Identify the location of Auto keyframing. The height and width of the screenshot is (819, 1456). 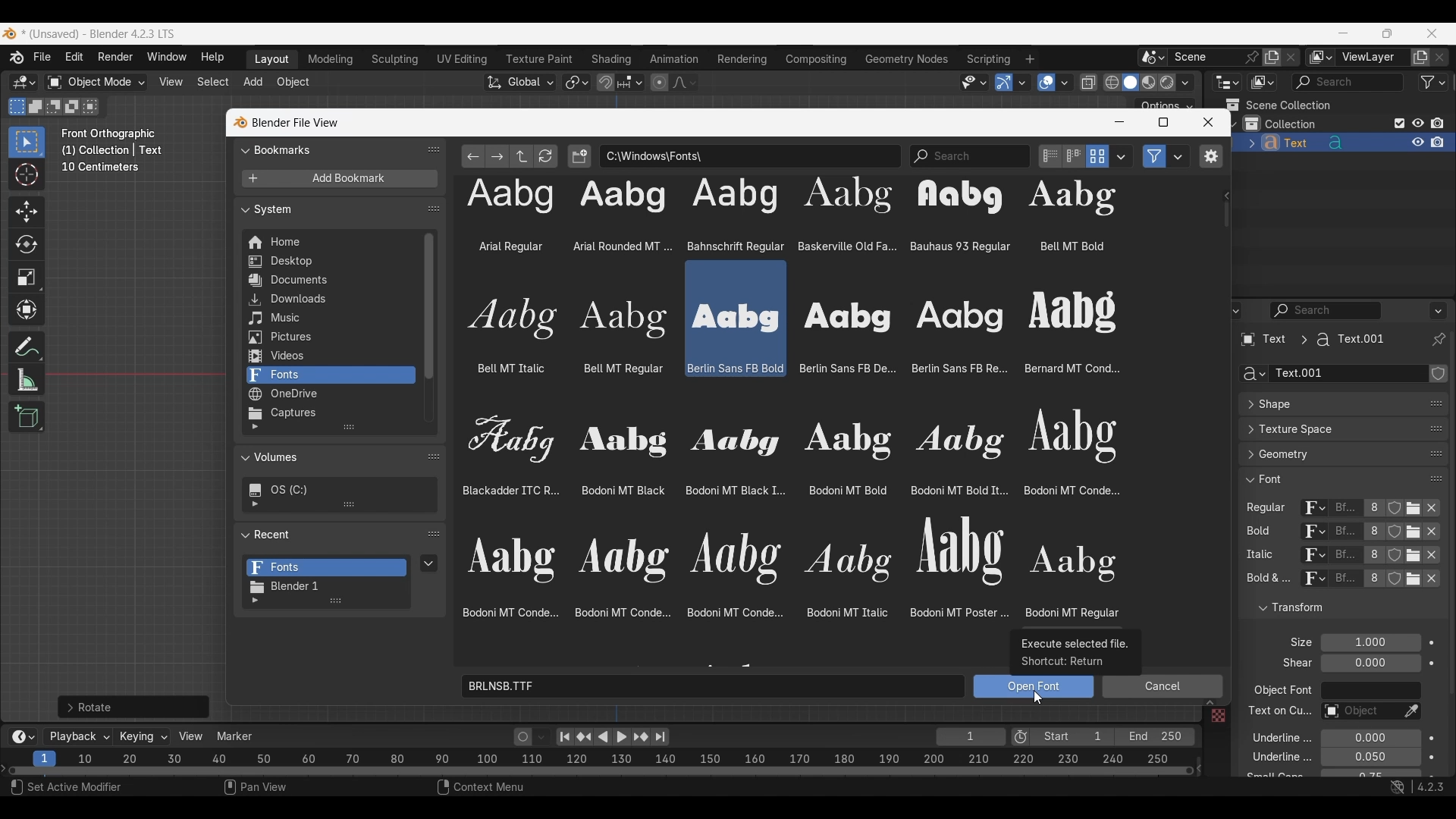
(541, 737).